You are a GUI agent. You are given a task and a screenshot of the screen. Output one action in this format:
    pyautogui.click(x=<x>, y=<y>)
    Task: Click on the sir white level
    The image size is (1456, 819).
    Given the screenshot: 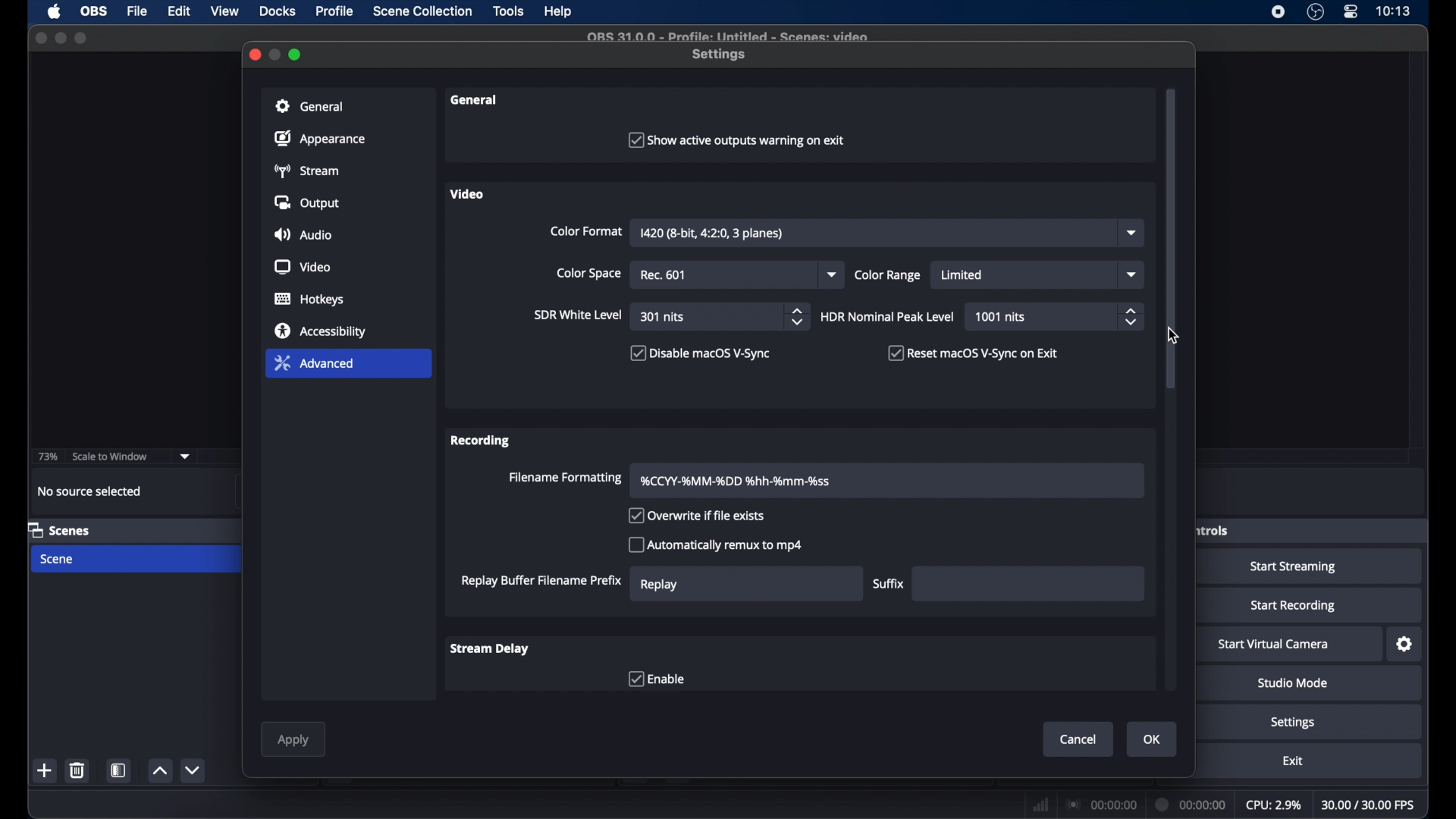 What is the action you would take?
    pyautogui.click(x=578, y=314)
    